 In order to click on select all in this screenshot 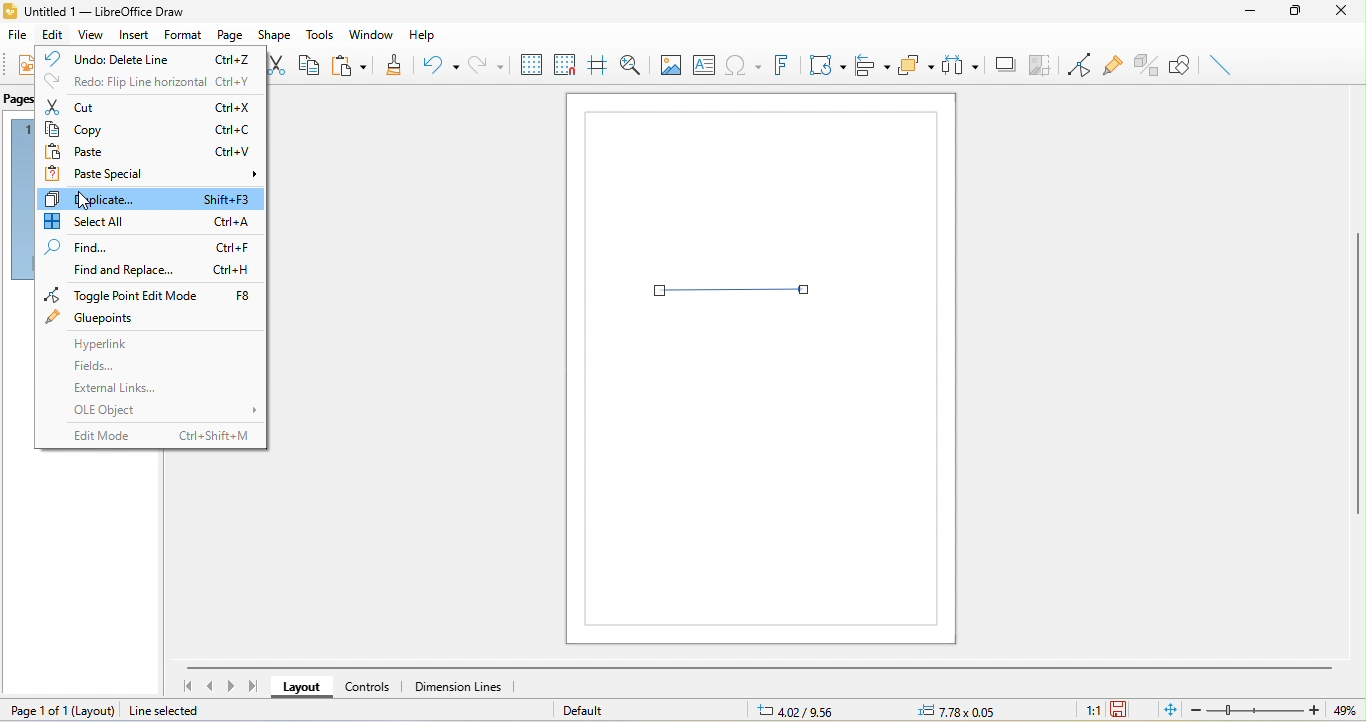, I will do `click(152, 219)`.